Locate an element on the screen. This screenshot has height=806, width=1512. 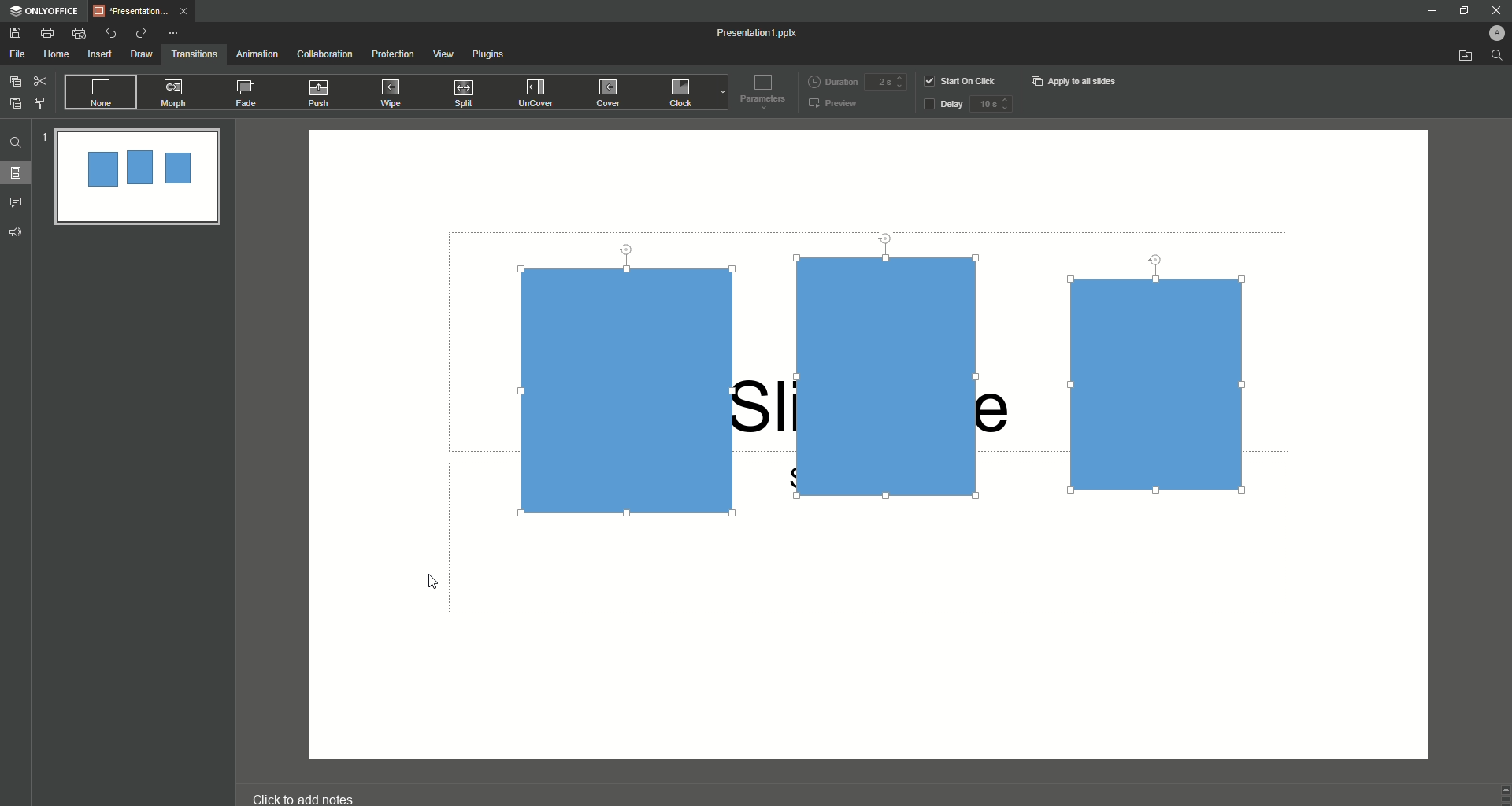
Tab 1 is located at coordinates (145, 11).